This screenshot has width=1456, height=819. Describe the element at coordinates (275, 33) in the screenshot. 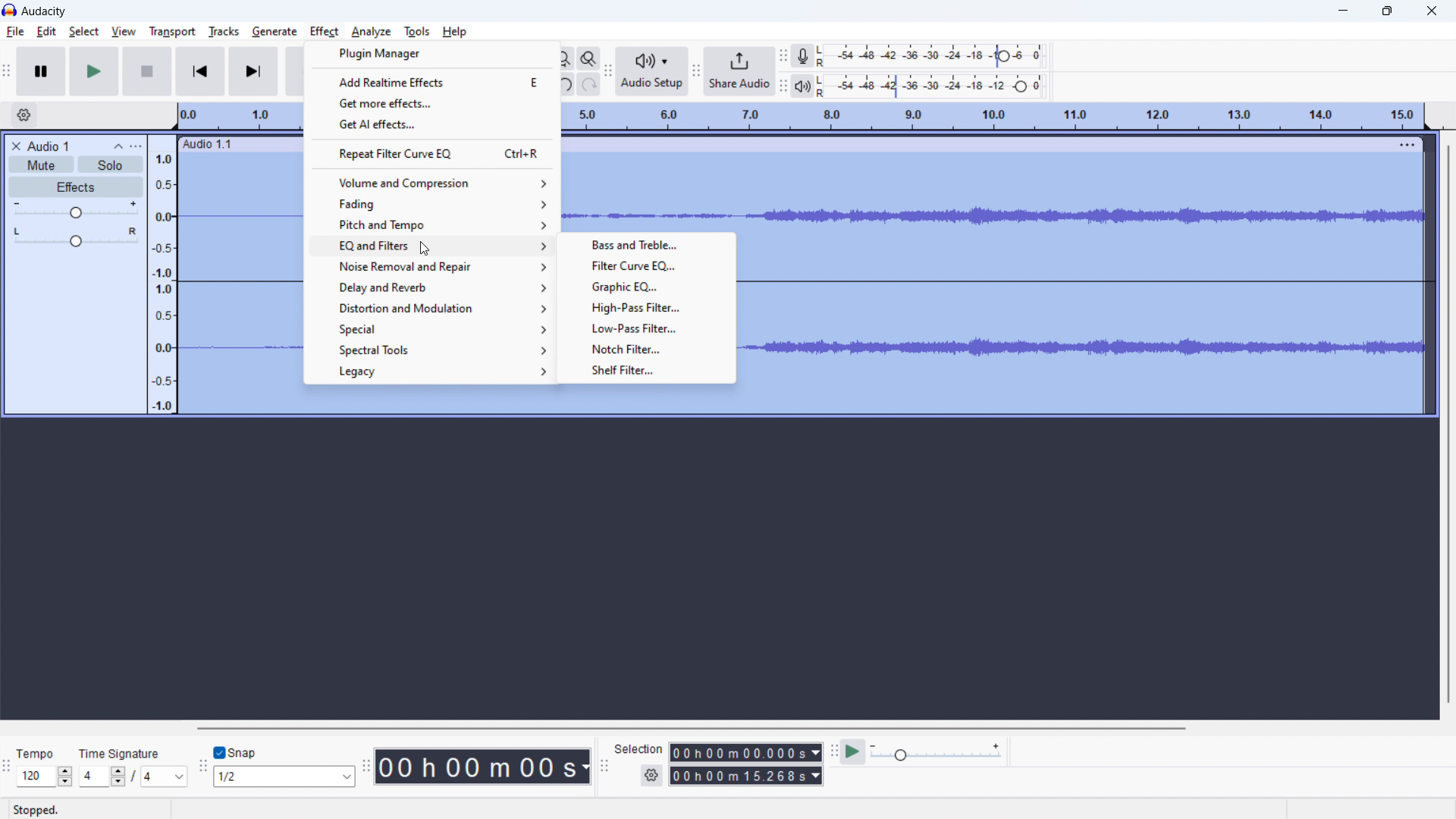

I see `generate` at that location.